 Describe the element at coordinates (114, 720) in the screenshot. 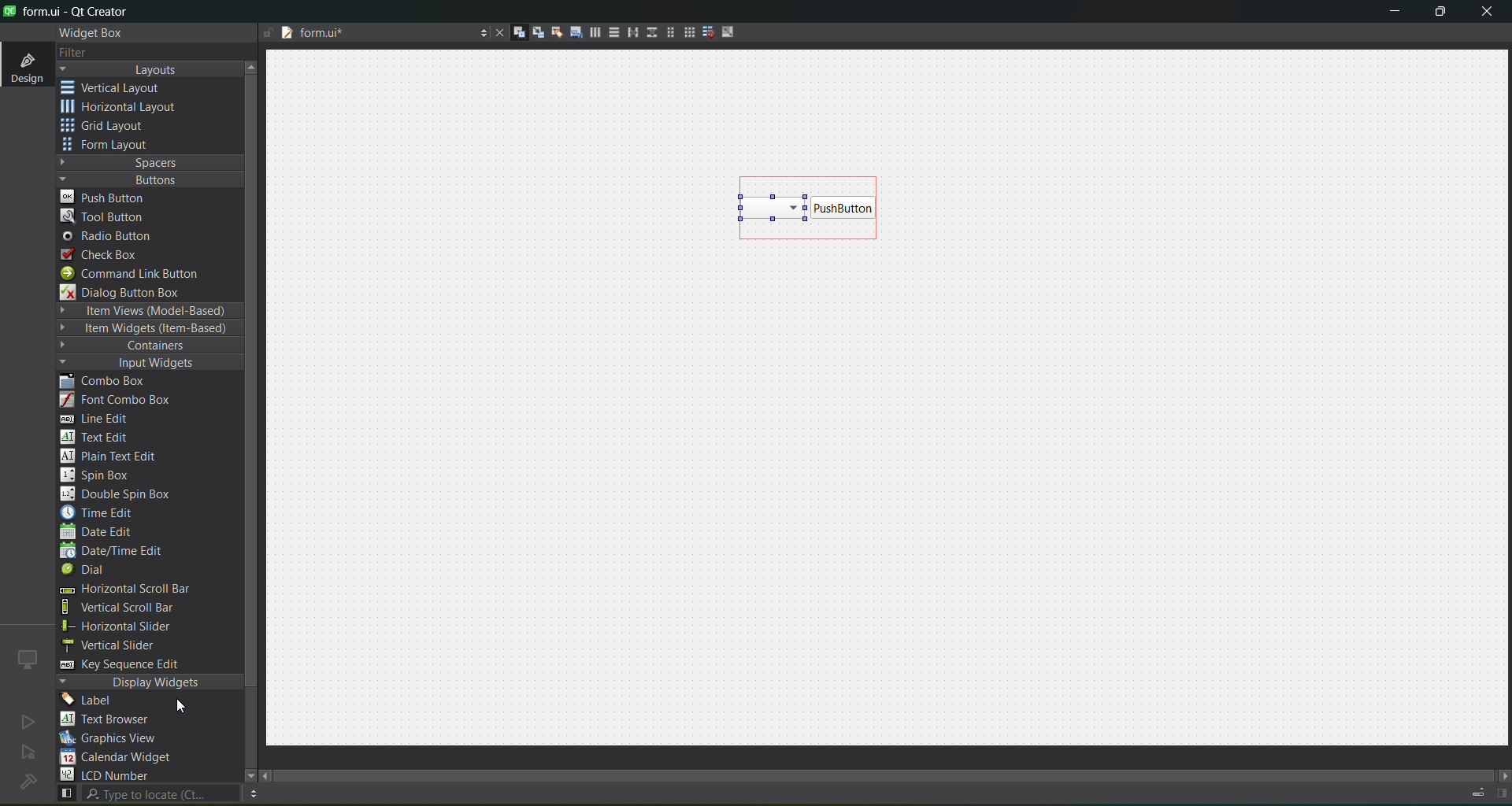

I see `text` at that location.